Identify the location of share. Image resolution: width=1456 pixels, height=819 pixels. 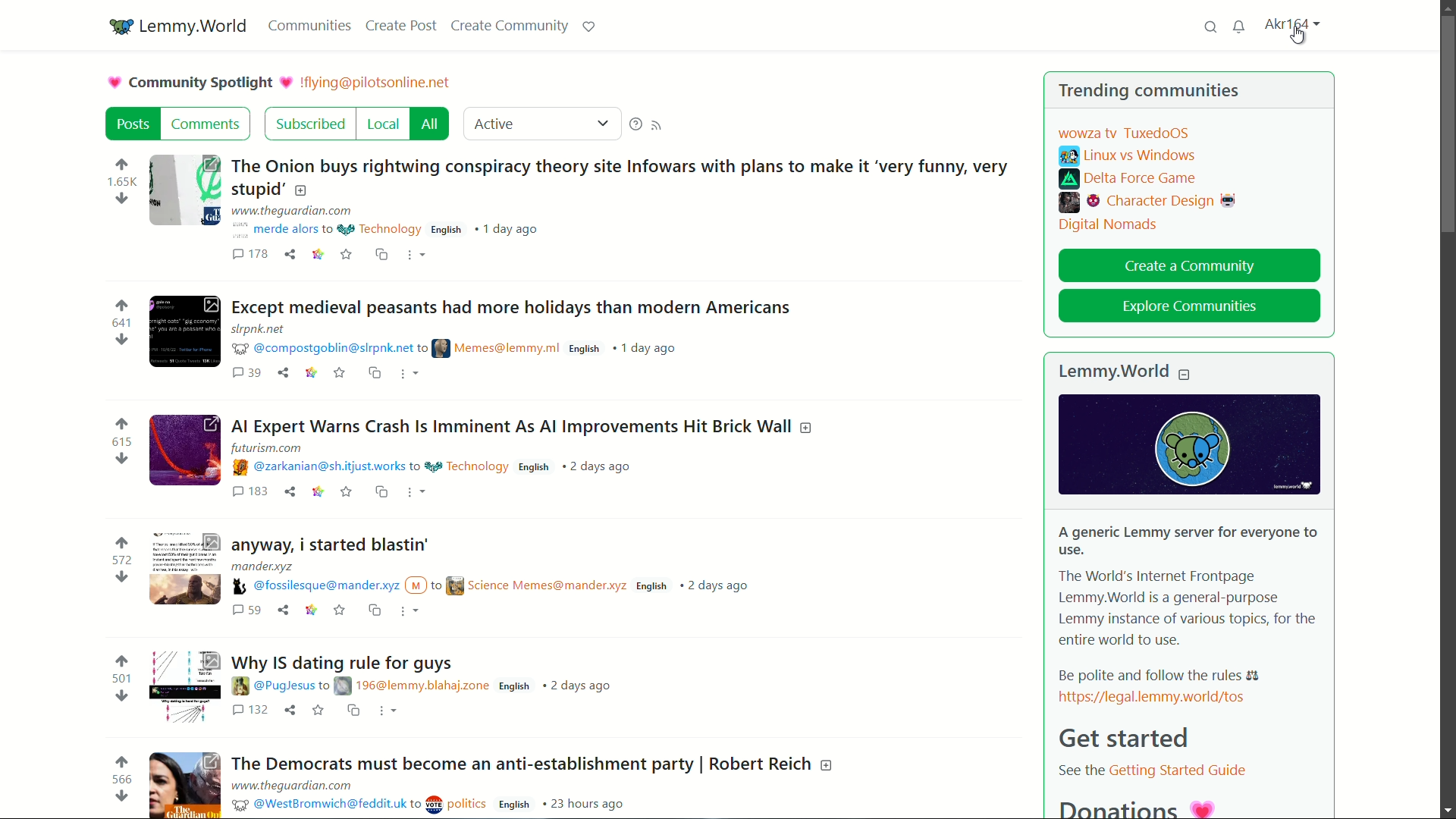
(281, 610).